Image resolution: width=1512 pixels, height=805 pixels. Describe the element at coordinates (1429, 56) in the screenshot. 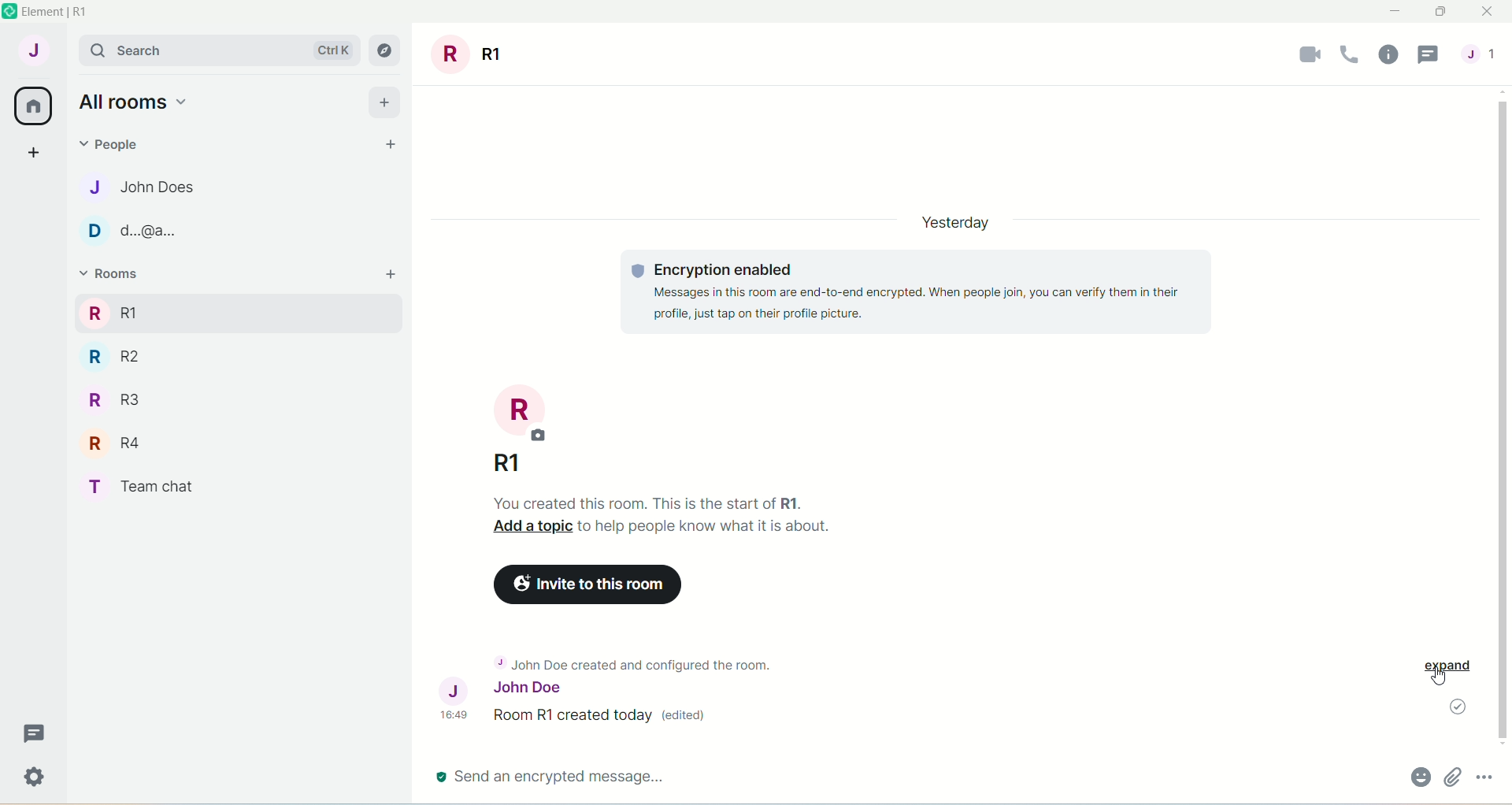

I see `threads` at that location.